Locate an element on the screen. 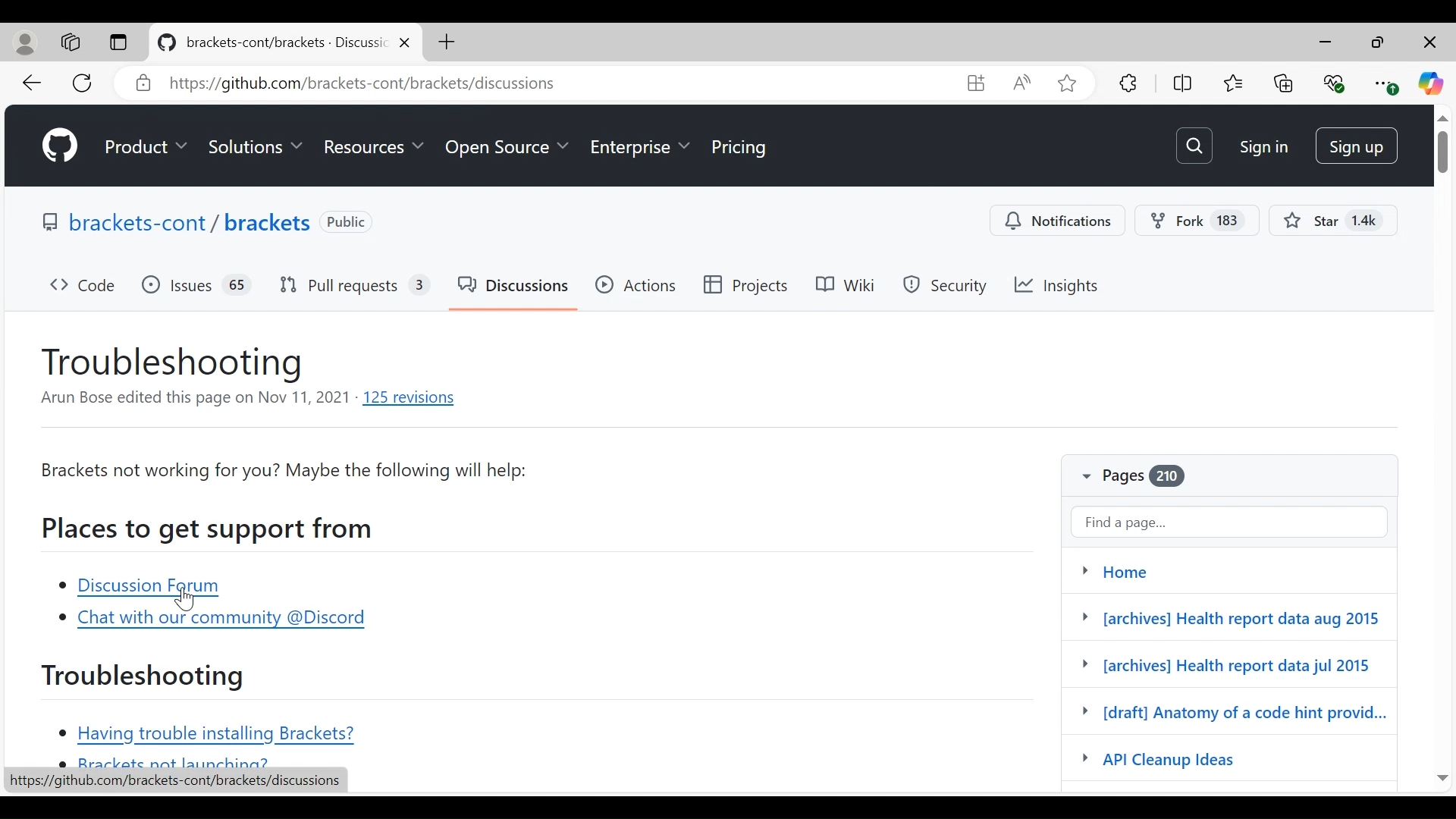 The width and height of the screenshot is (1456, 819). Copilot is located at coordinates (1432, 83).